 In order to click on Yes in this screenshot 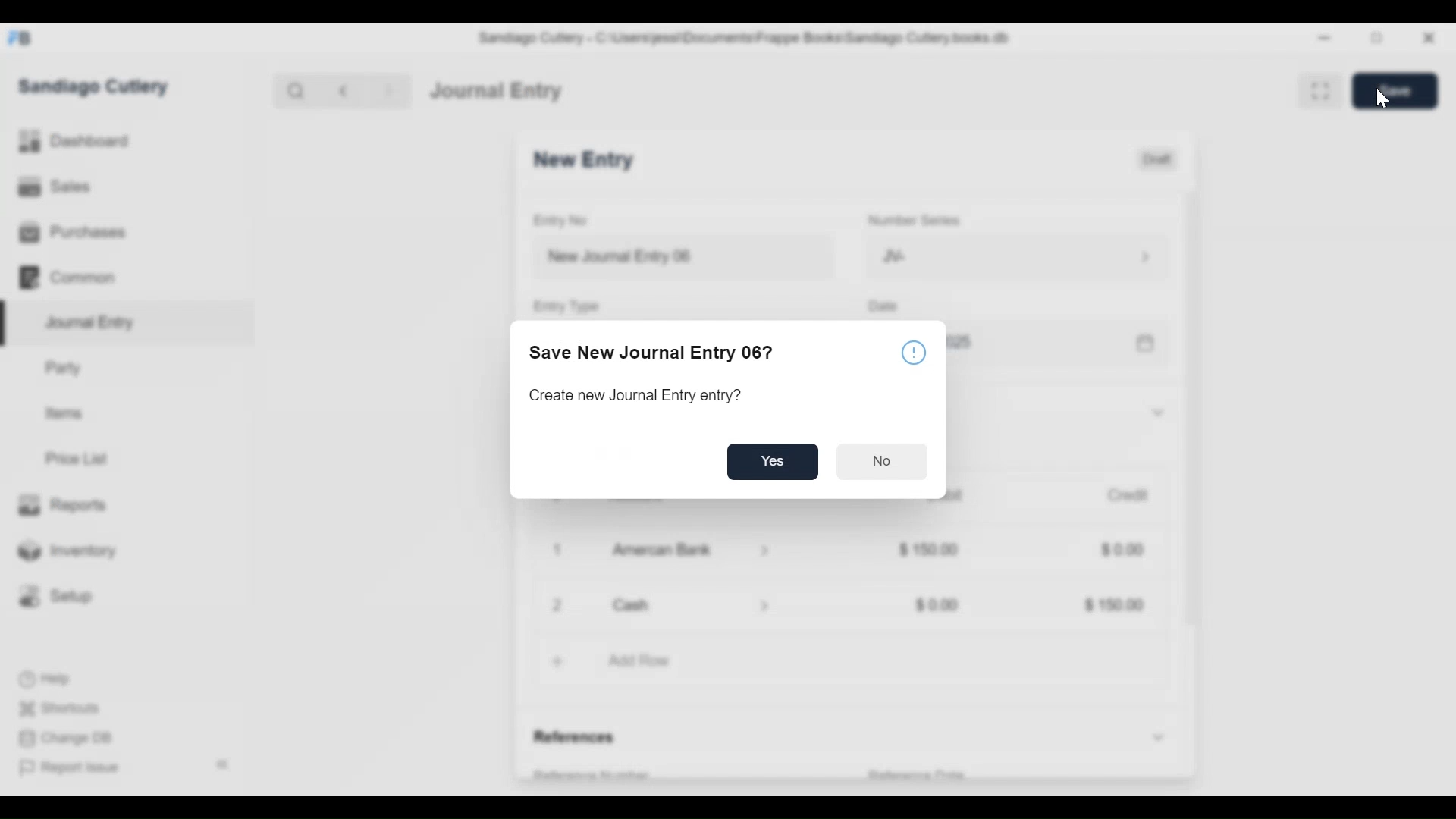, I will do `click(774, 463)`.